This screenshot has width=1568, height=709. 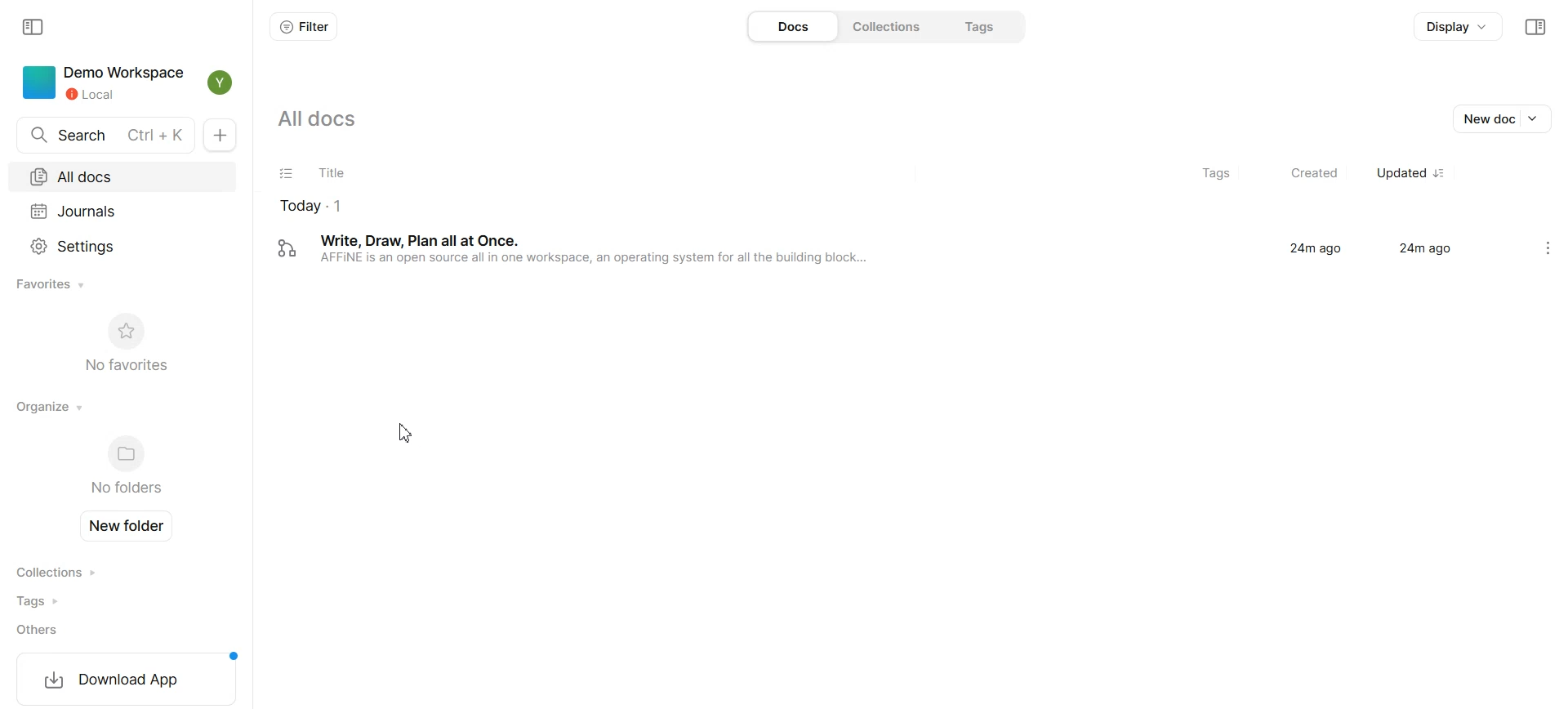 What do you see at coordinates (64, 573) in the screenshot?
I see `Collections` at bounding box center [64, 573].